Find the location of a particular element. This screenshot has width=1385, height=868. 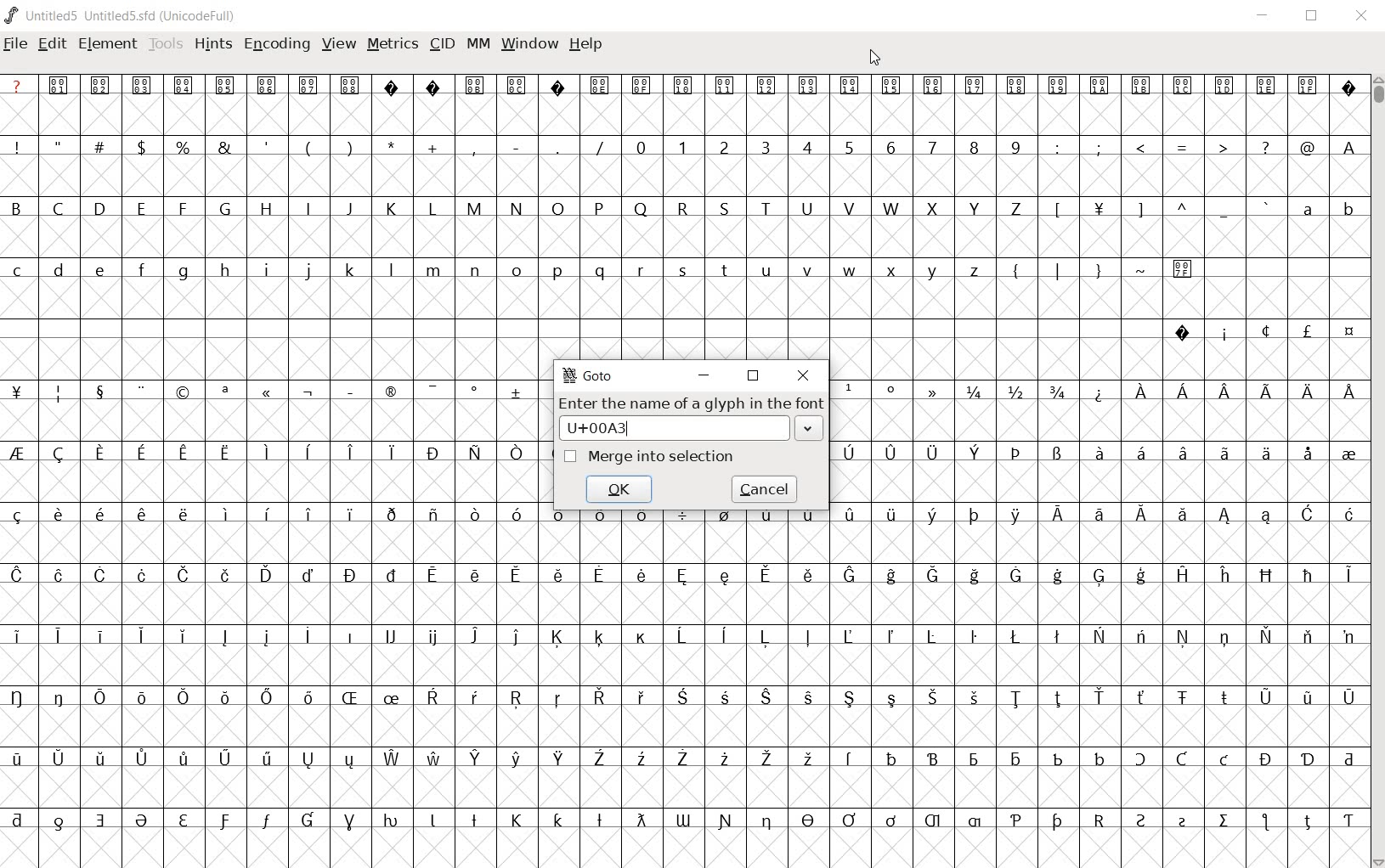

Symbol is located at coordinates (684, 820).